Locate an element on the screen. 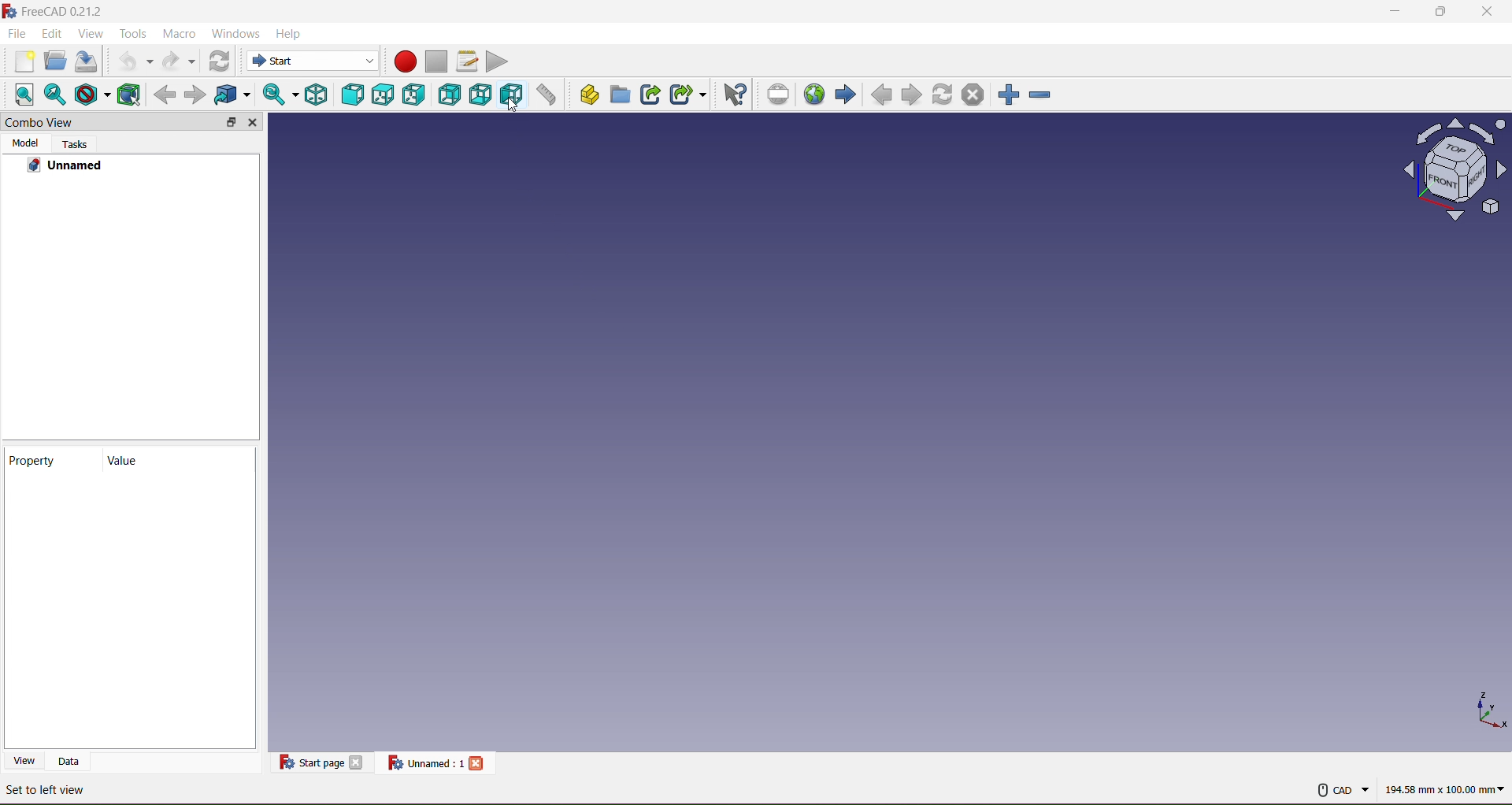  Macro is located at coordinates (179, 32).